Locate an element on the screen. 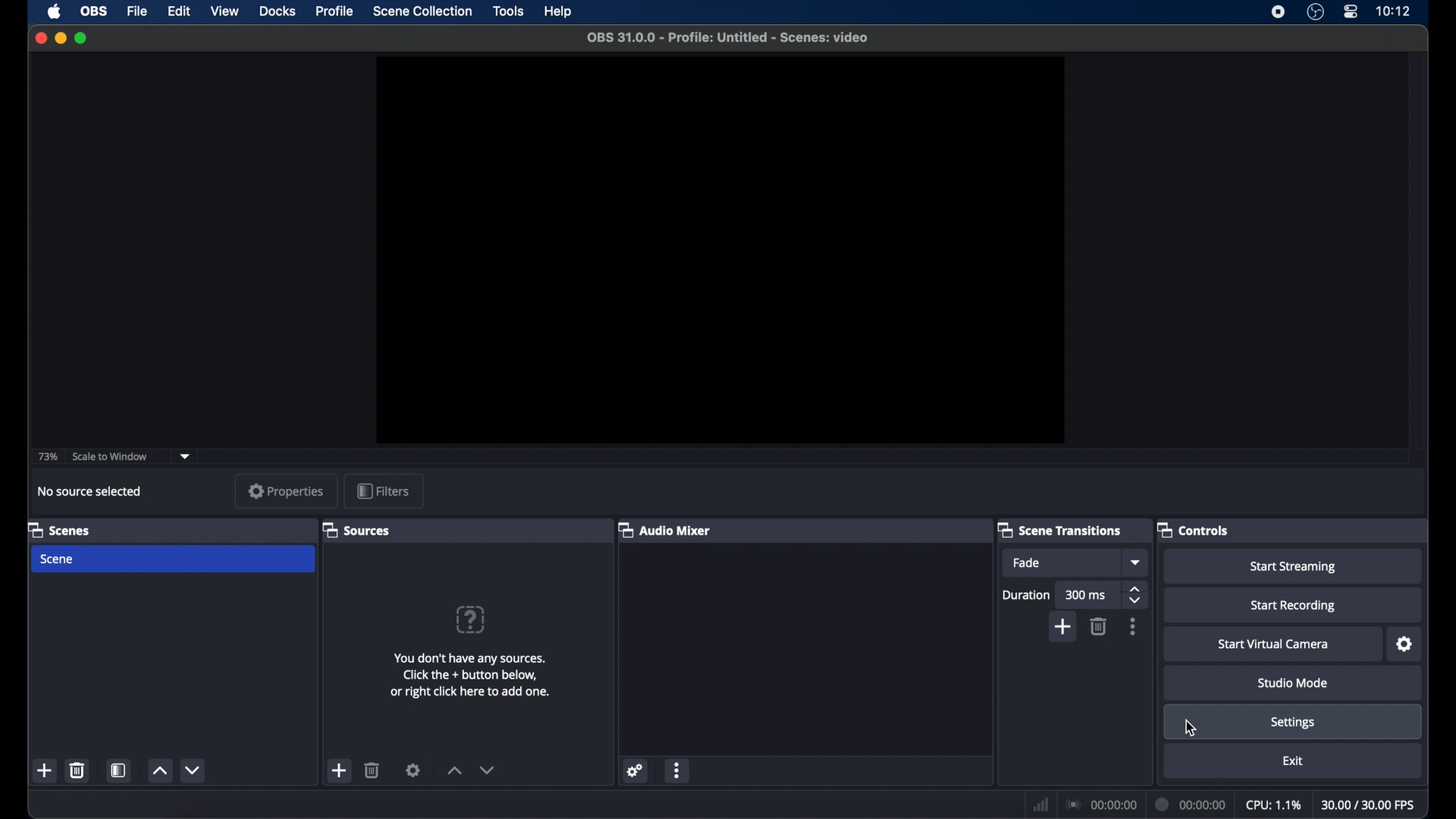  stepper buttons is located at coordinates (1137, 595).